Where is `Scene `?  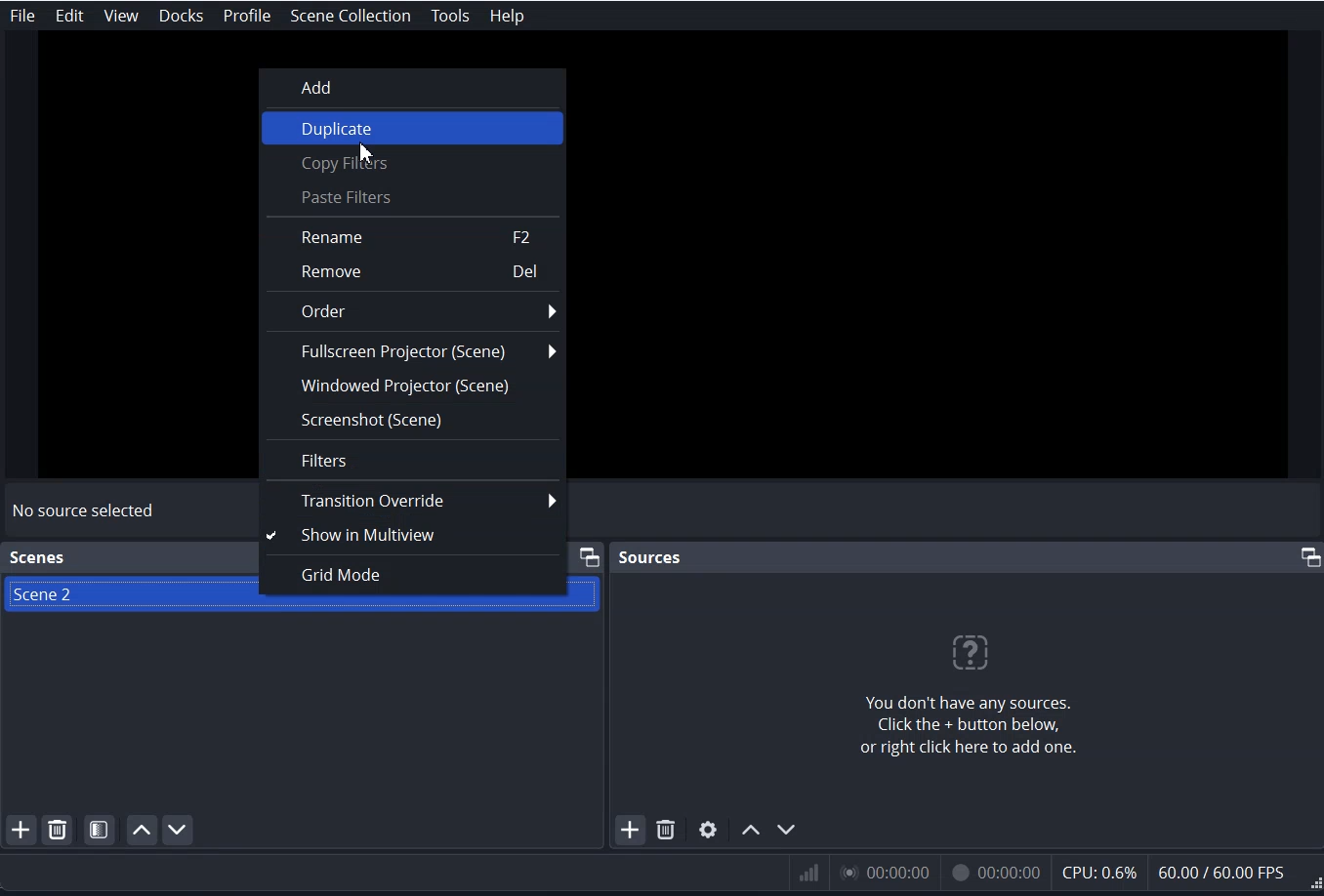 Scene  is located at coordinates (80, 593).